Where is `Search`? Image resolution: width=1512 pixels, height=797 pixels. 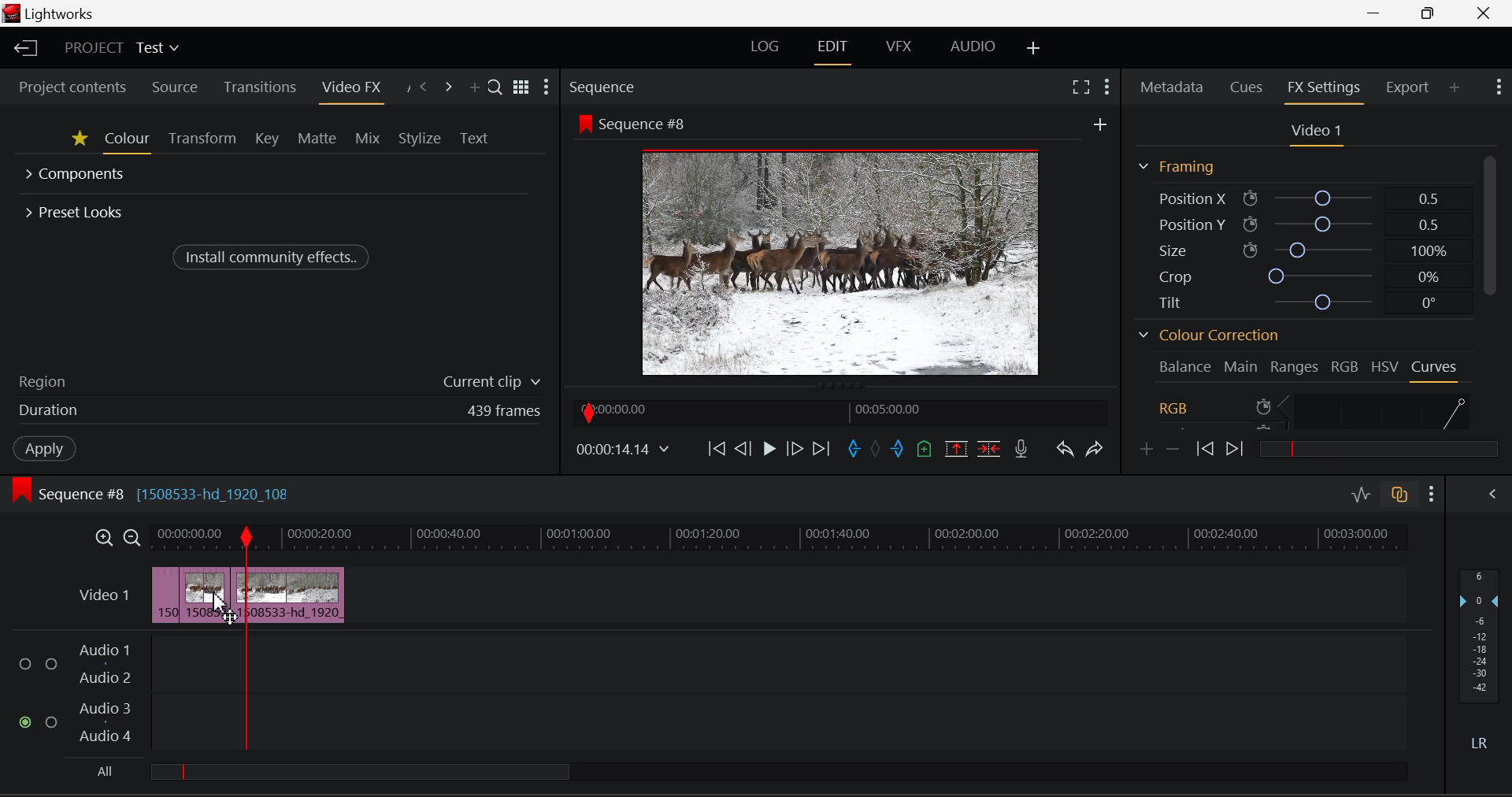 Search is located at coordinates (495, 85).